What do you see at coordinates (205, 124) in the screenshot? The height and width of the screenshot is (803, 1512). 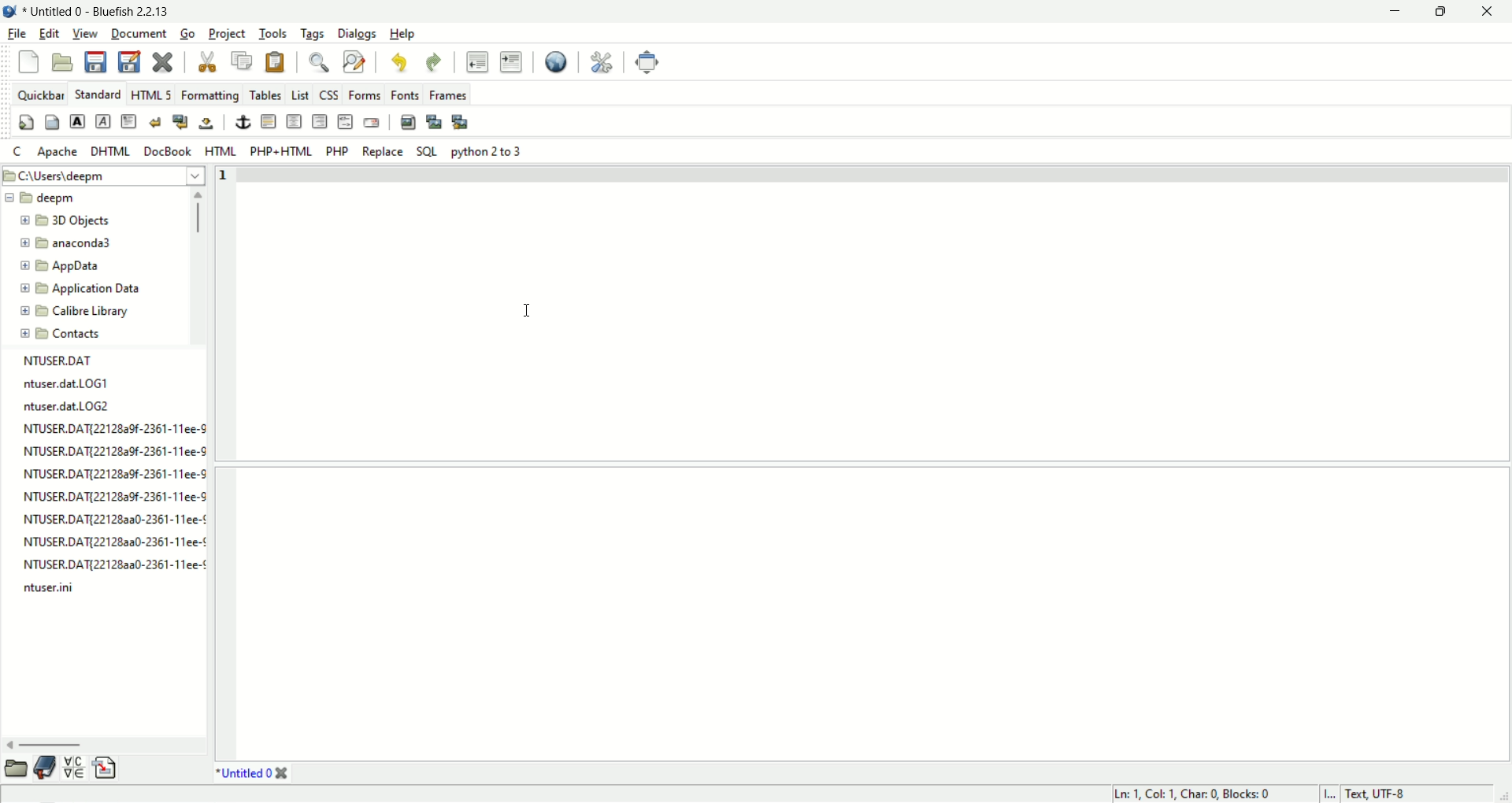 I see `non breaking space` at bounding box center [205, 124].